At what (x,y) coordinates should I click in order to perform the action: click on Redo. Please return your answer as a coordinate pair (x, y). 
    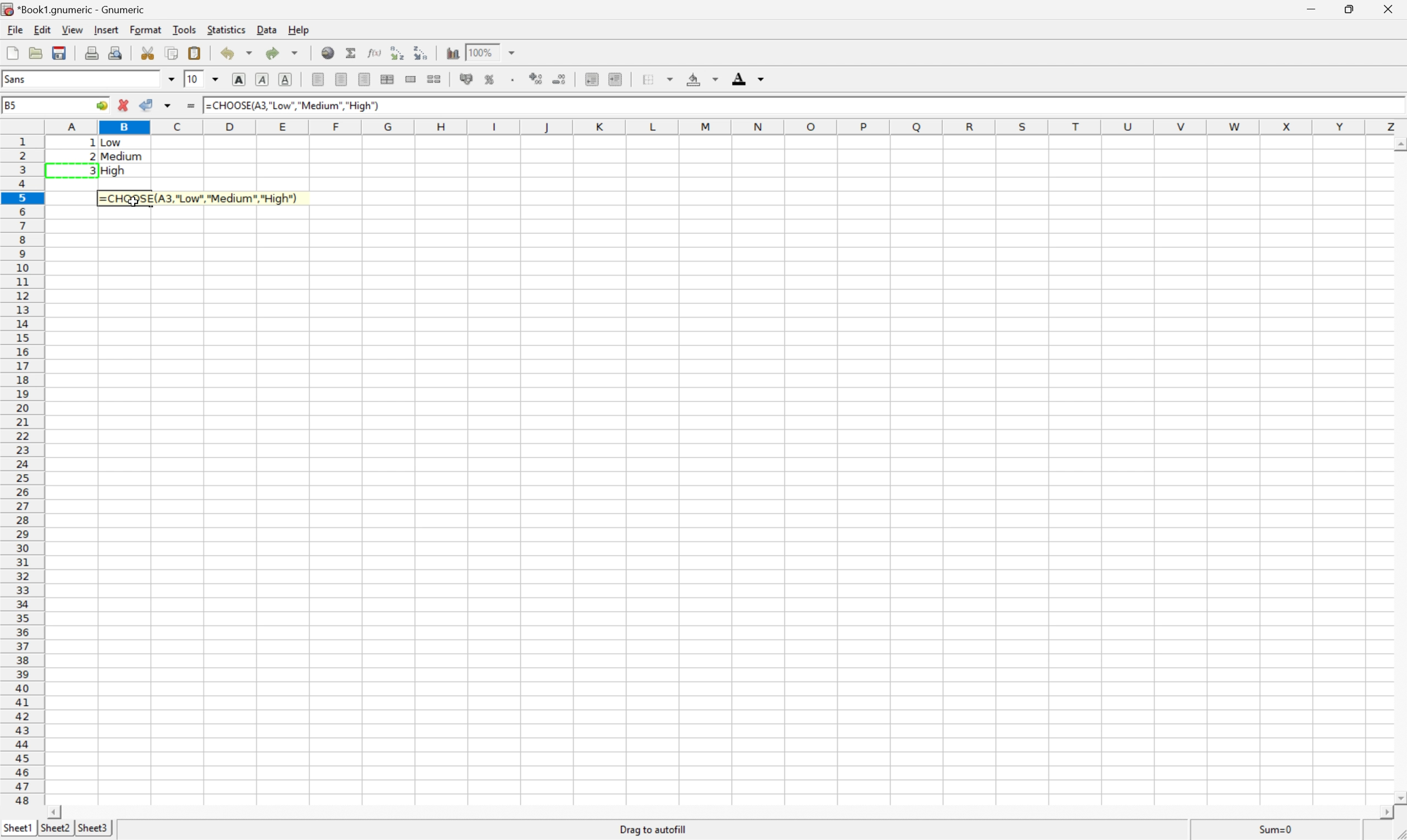
    Looking at the image, I should click on (281, 52).